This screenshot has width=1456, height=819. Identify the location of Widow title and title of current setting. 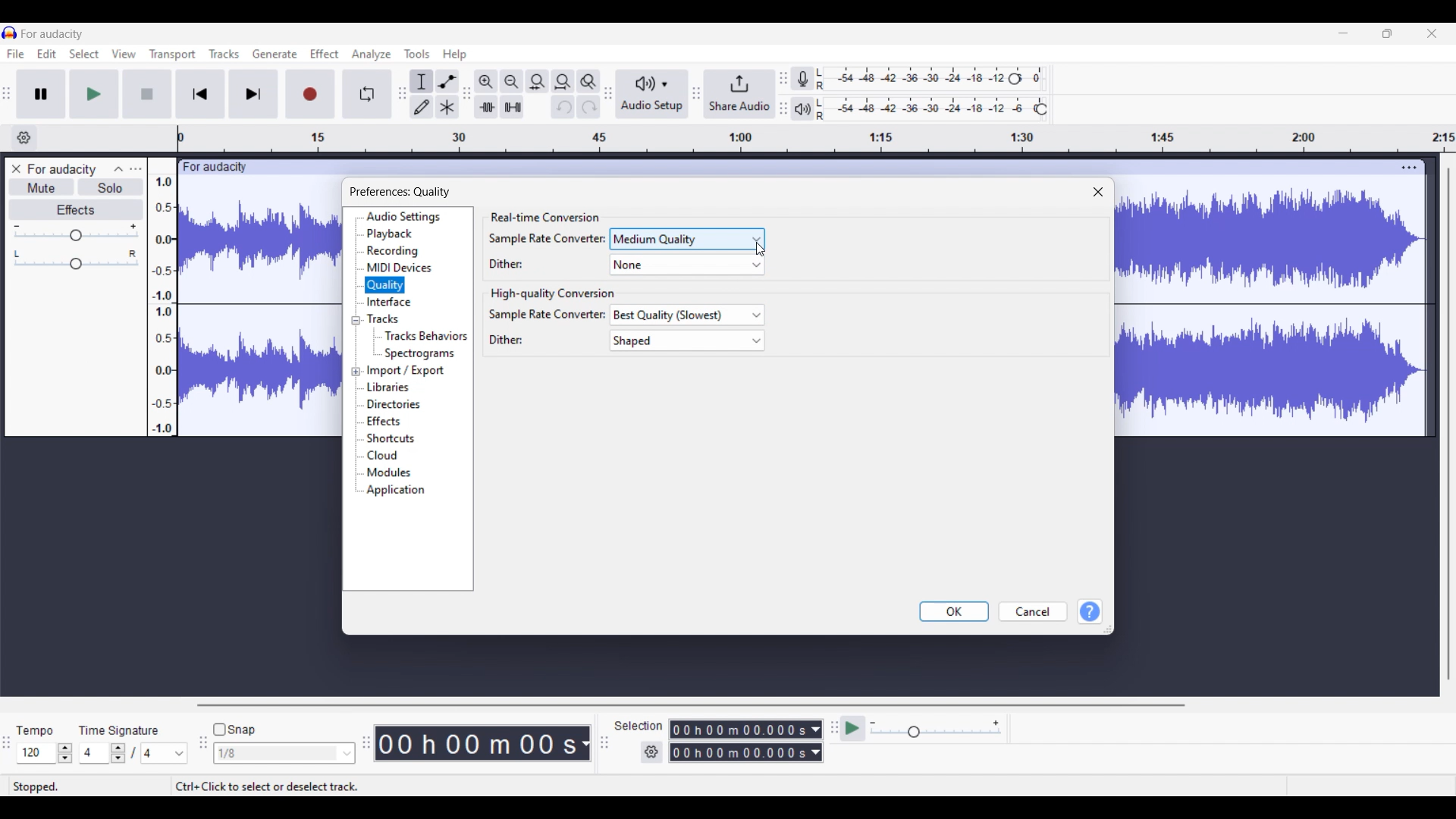
(400, 192).